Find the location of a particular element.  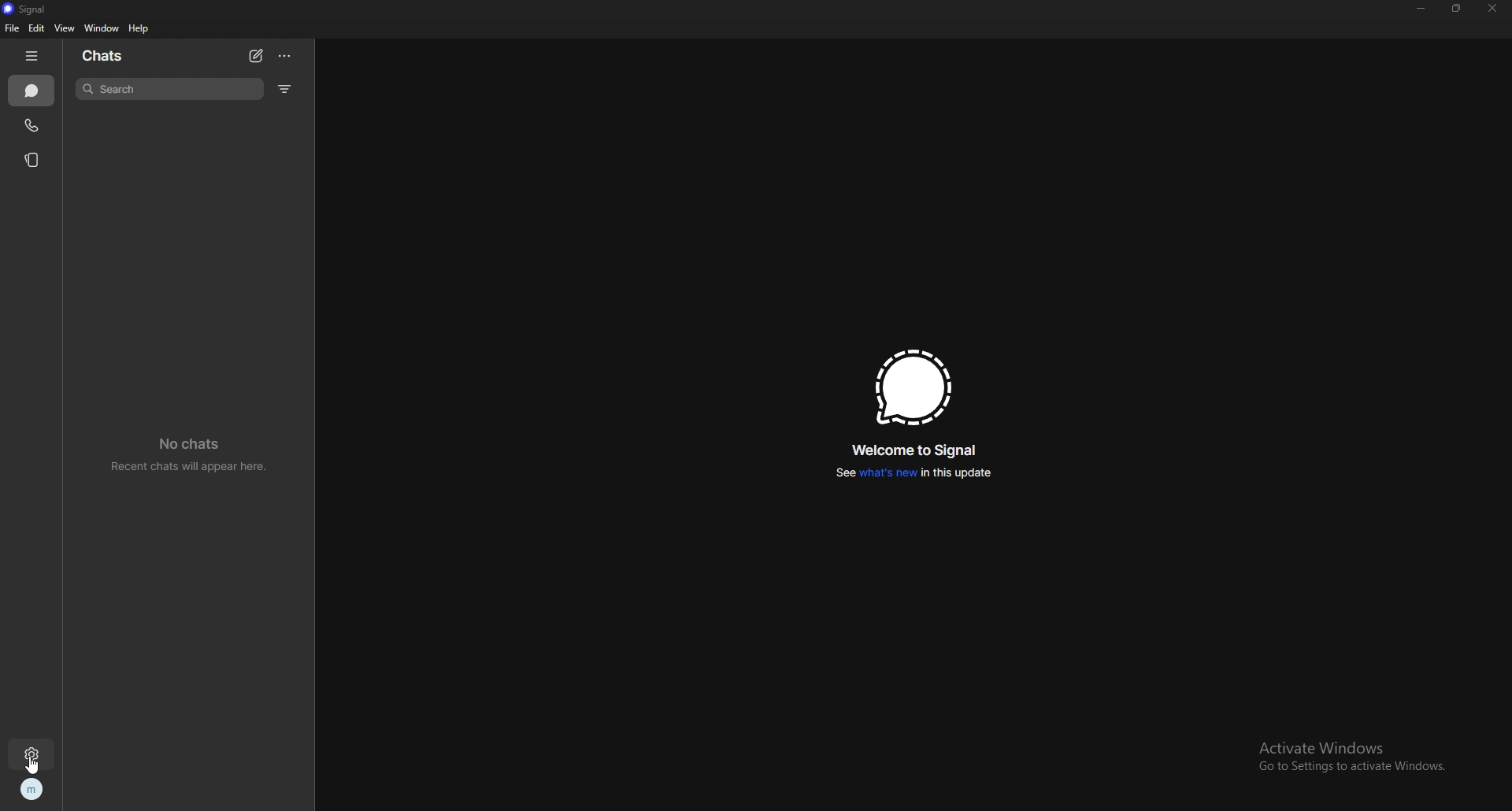

recent chats will appear here is located at coordinates (191, 452).